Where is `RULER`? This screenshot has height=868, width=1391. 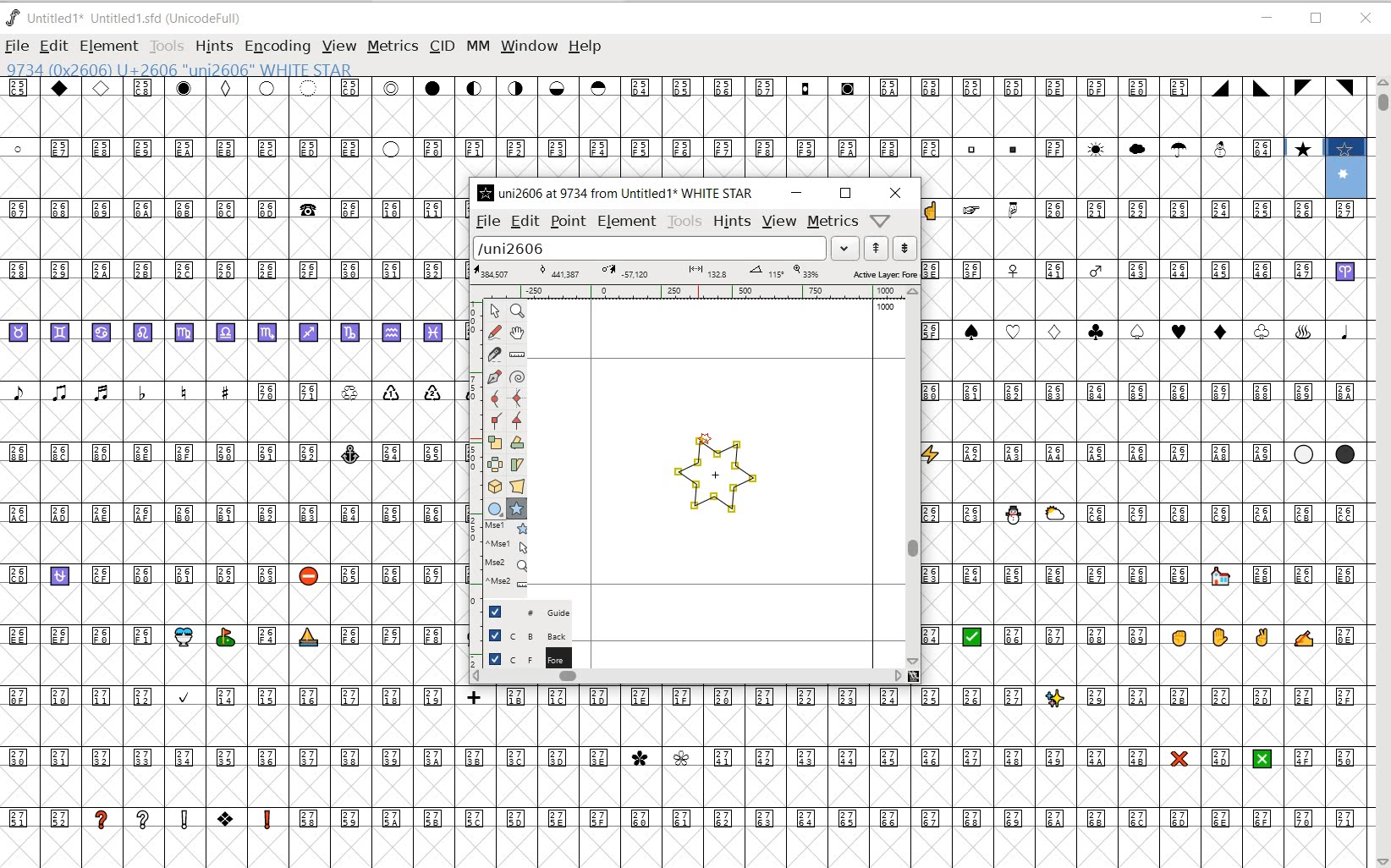
RULER is located at coordinates (691, 291).